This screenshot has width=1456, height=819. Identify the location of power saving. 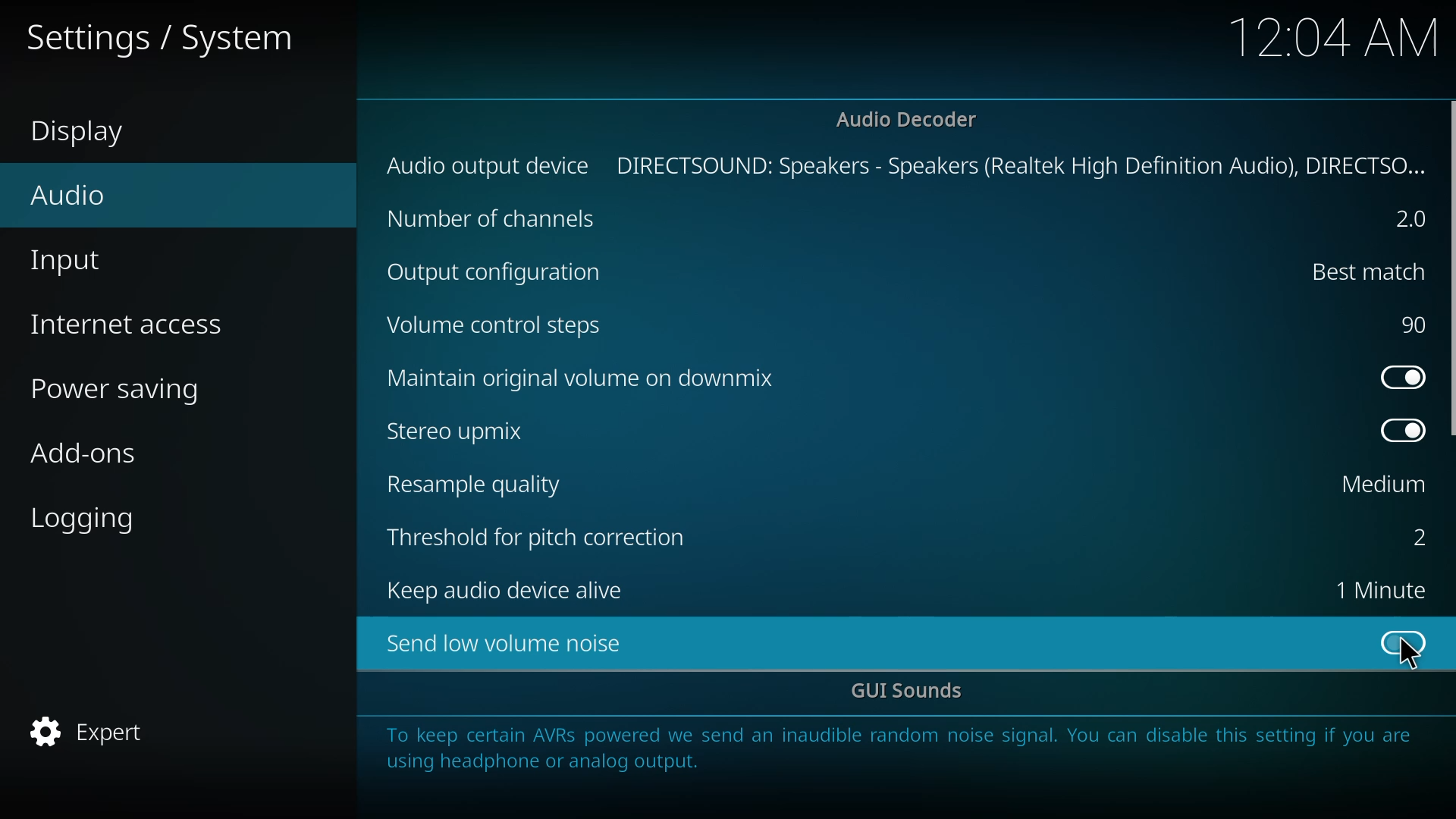
(125, 388).